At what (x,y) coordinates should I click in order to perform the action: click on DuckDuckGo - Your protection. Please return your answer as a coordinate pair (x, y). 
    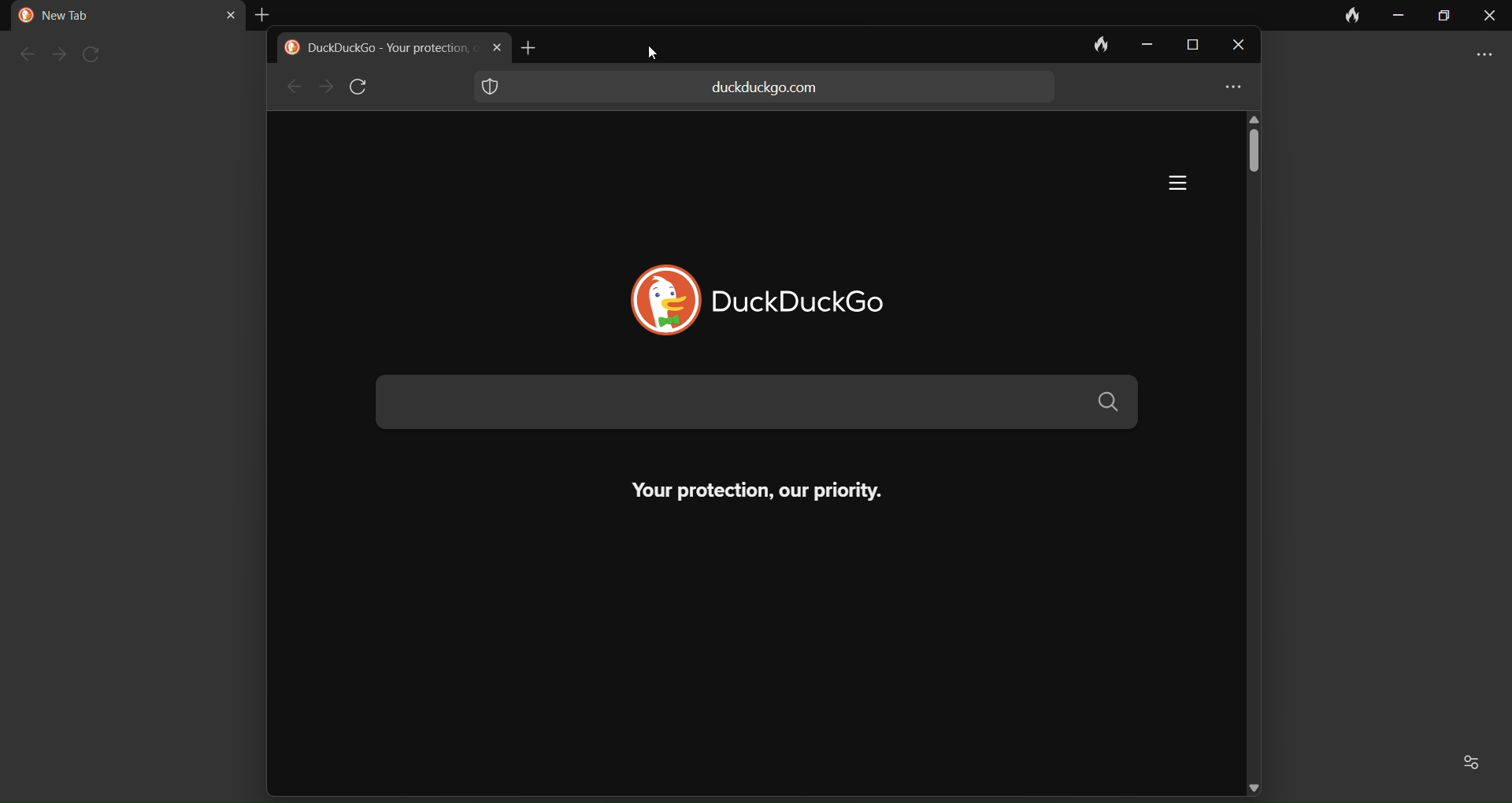
    Looking at the image, I should click on (390, 49).